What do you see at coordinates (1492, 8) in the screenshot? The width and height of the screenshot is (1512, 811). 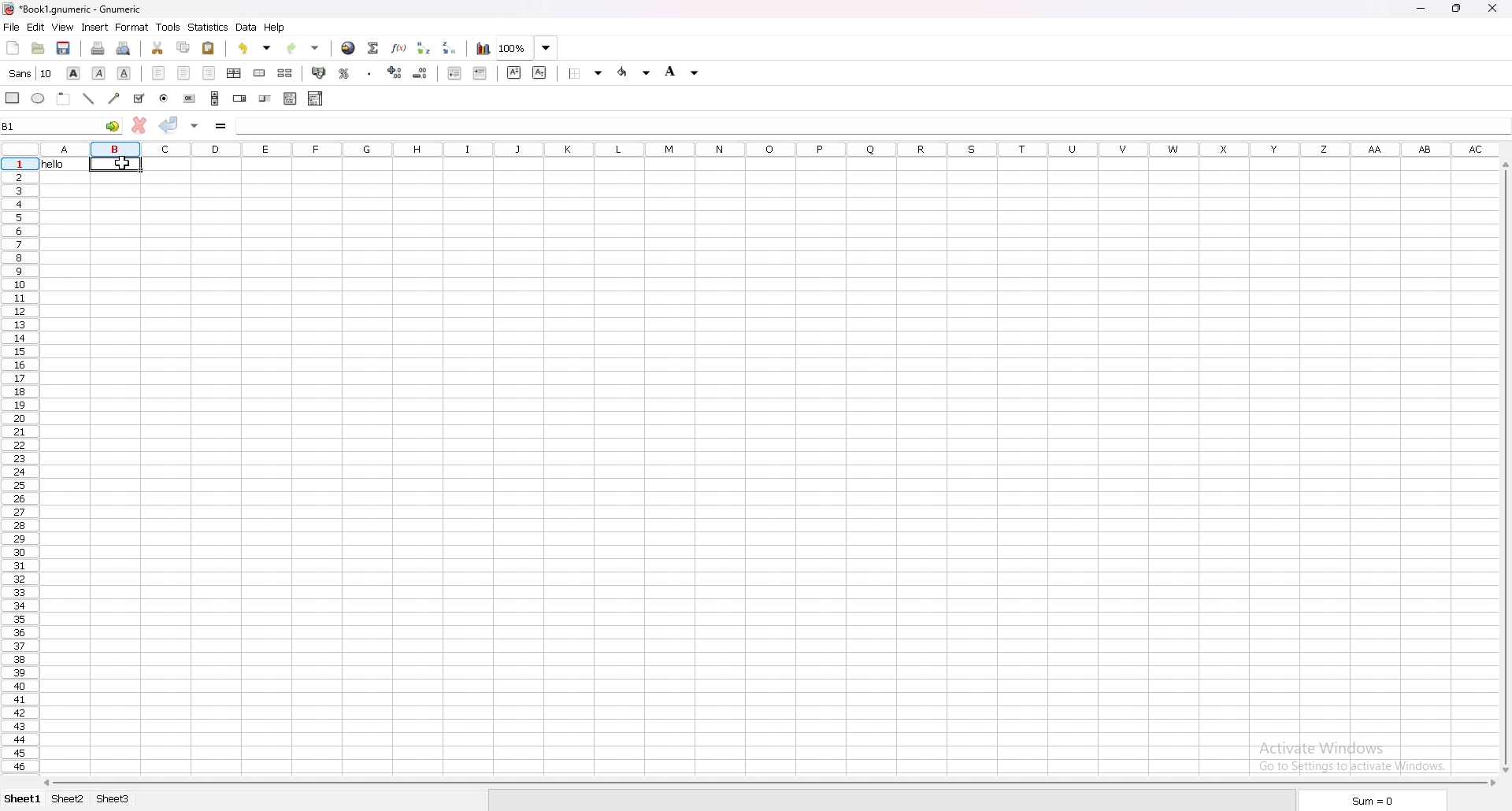 I see `close` at bounding box center [1492, 8].